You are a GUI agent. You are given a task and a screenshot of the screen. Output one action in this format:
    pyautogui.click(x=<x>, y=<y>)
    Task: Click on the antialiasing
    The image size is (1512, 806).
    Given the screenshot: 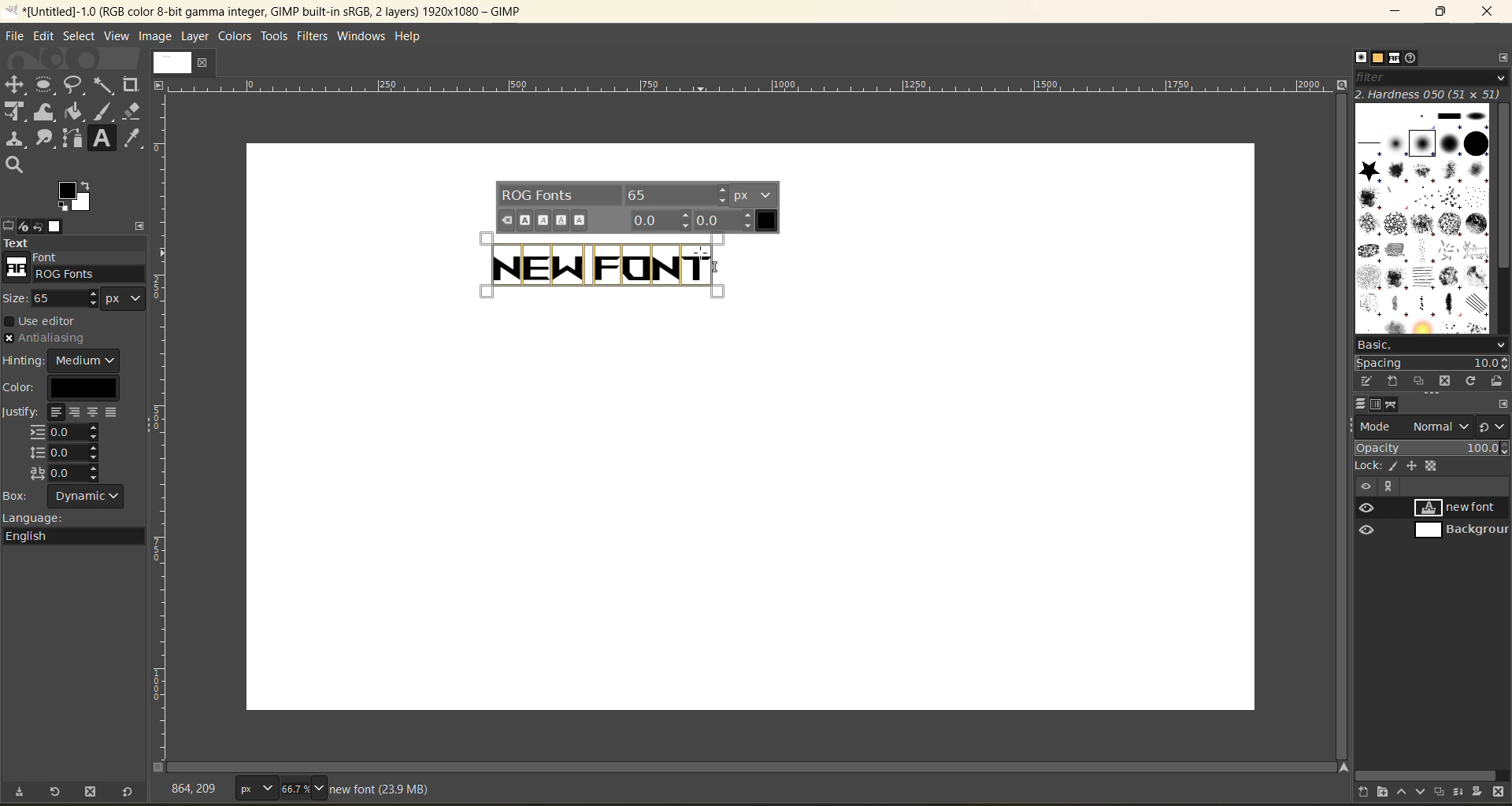 What is the action you would take?
    pyautogui.click(x=46, y=339)
    